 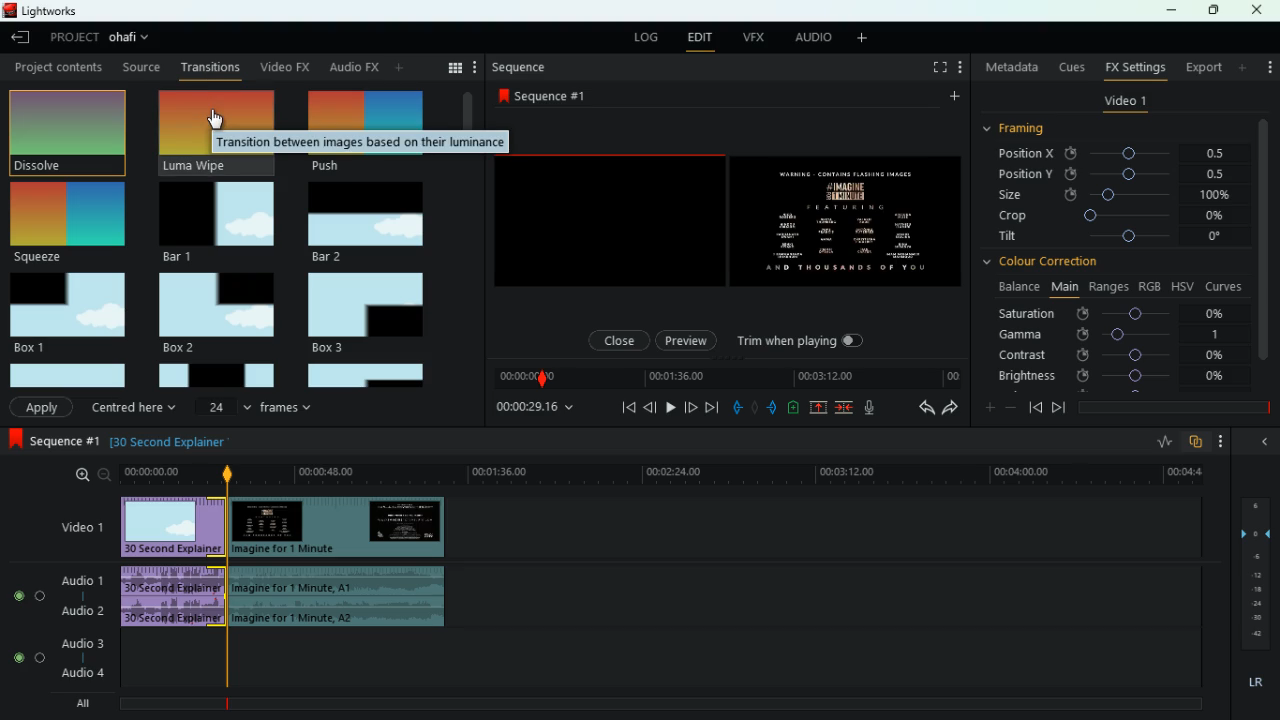 What do you see at coordinates (1253, 574) in the screenshot?
I see `frames` at bounding box center [1253, 574].